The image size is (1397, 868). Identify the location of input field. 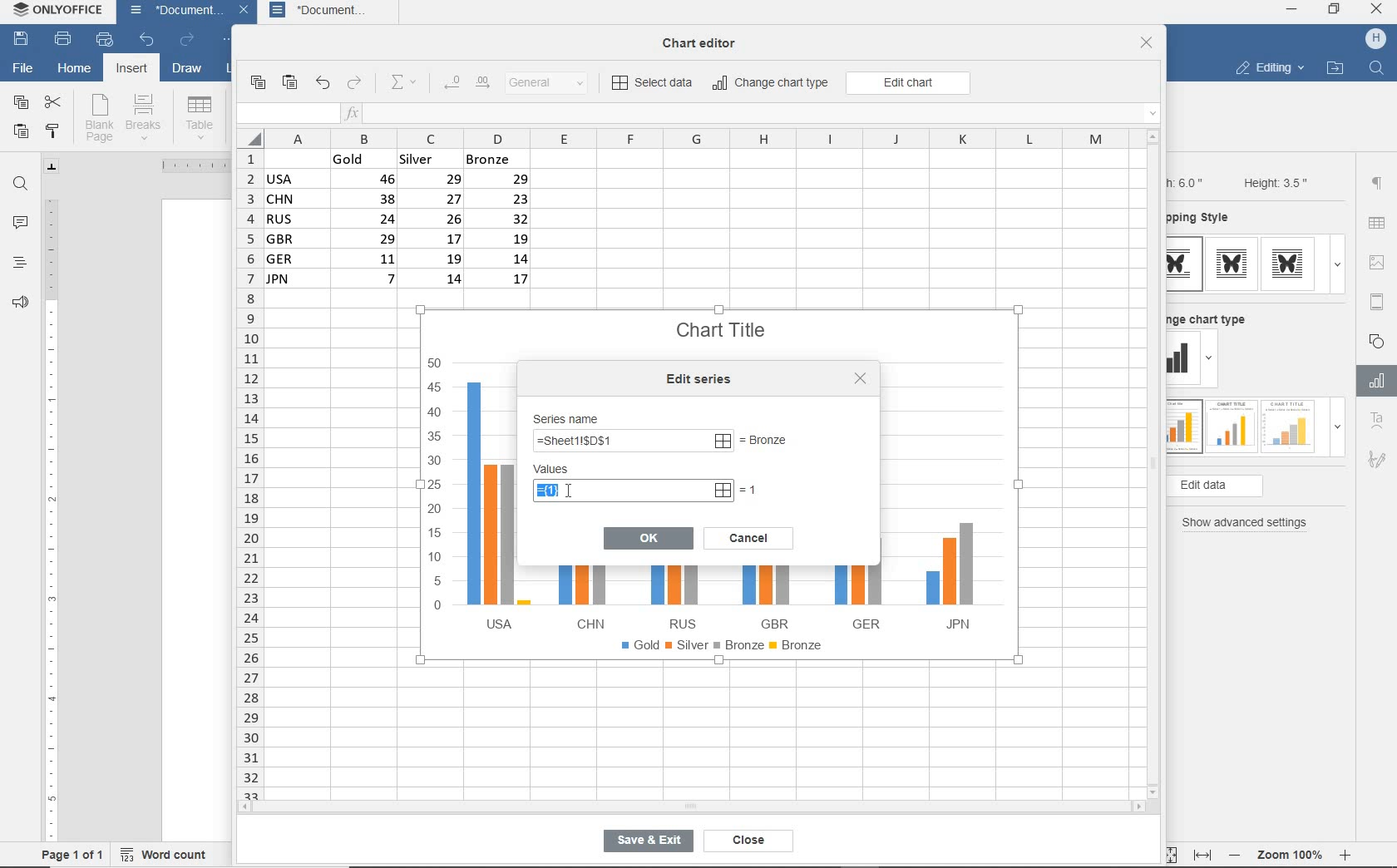
(286, 114).